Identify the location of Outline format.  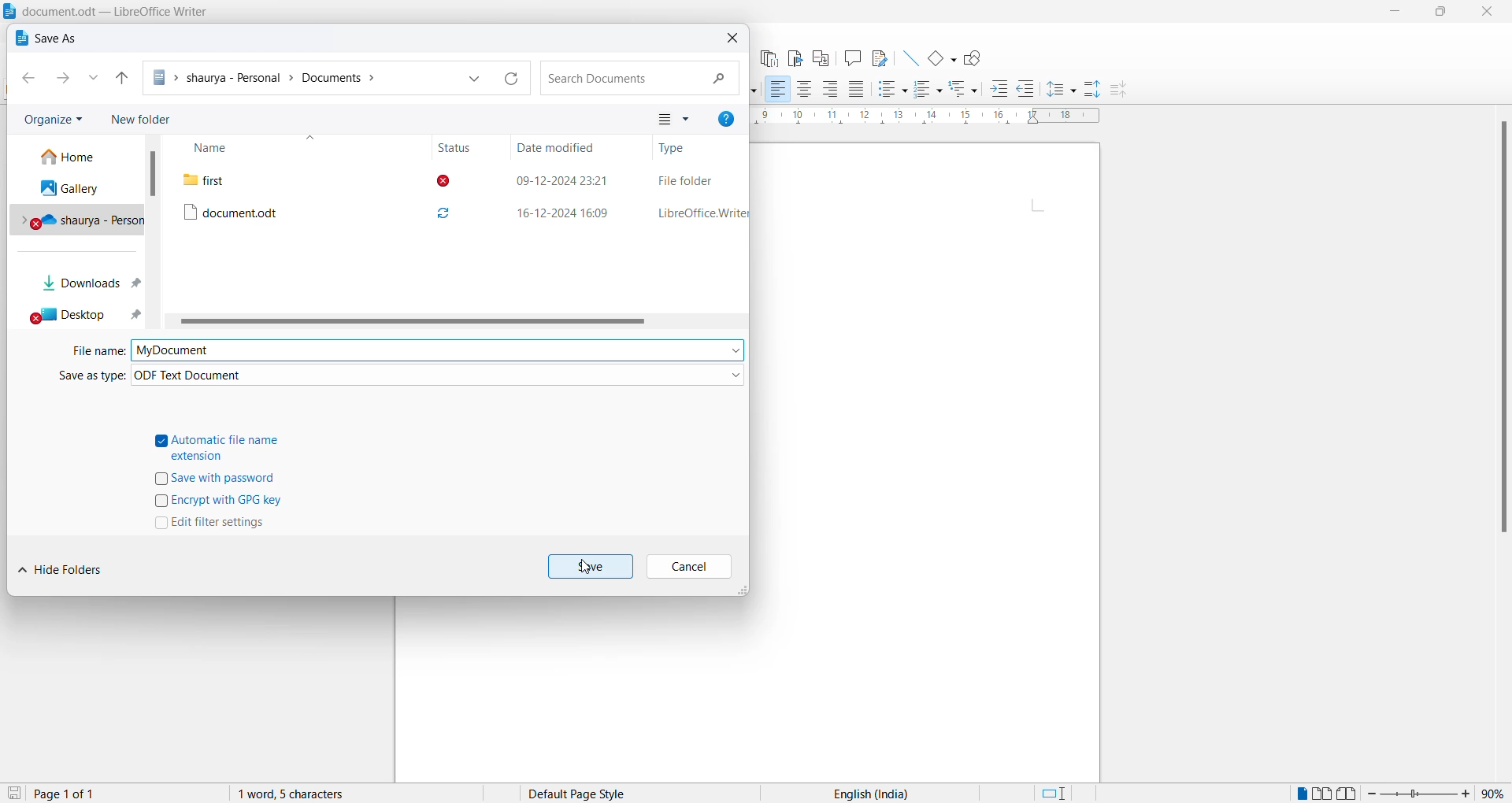
(965, 90).